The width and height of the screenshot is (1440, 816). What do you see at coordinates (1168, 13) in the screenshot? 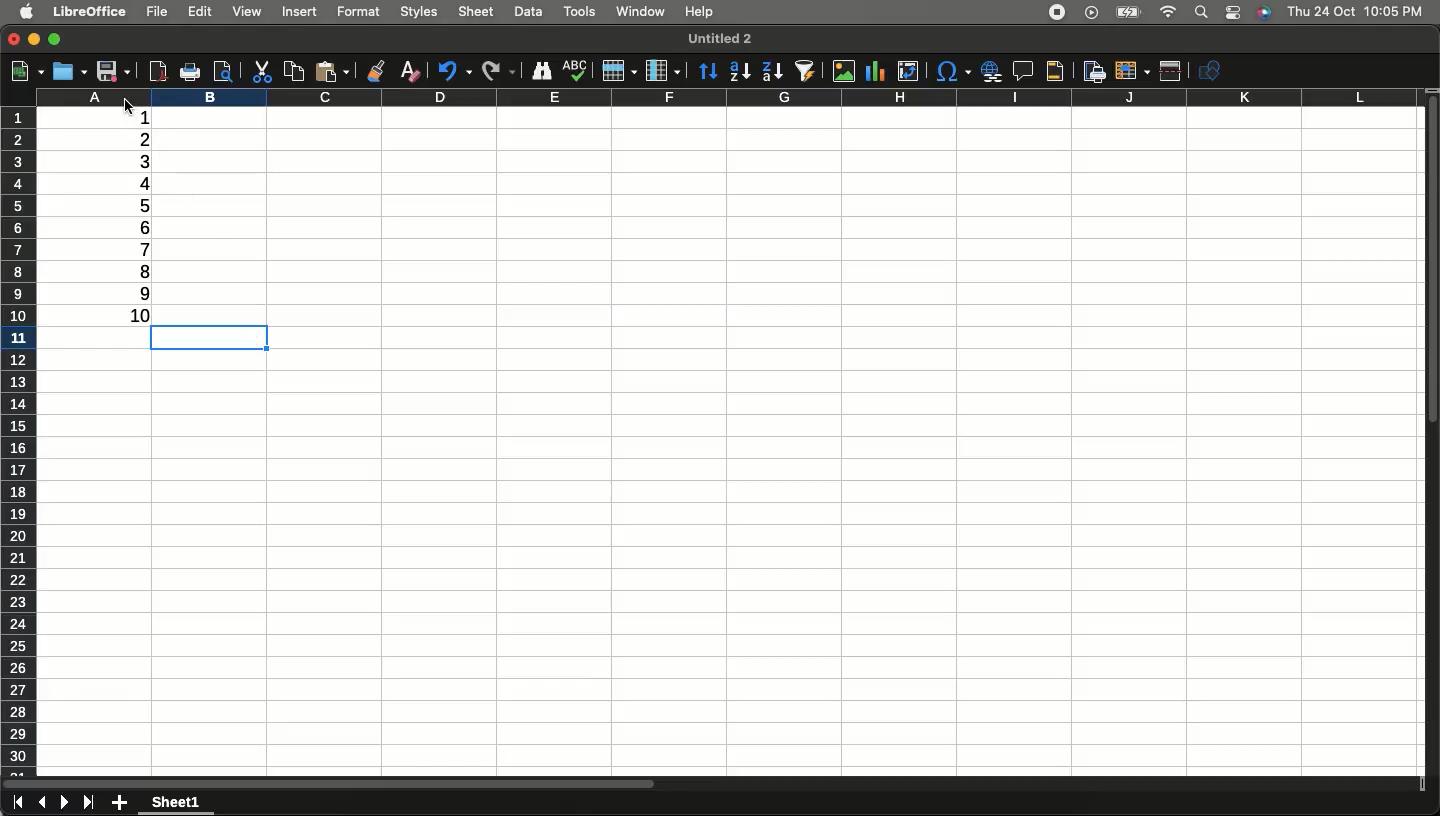
I see `Internet` at bounding box center [1168, 13].